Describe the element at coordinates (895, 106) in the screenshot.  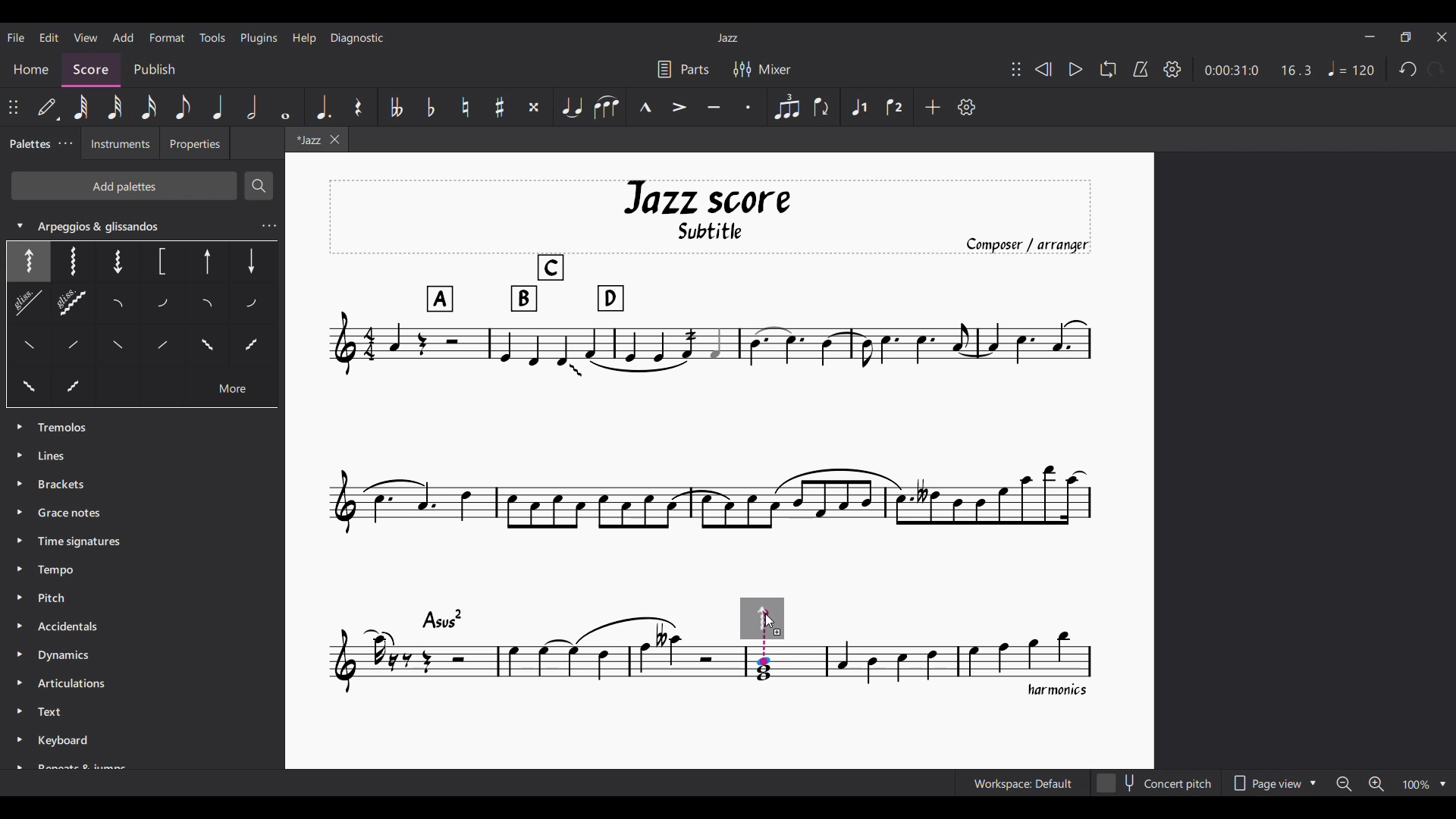
I see `Voice 2` at that location.